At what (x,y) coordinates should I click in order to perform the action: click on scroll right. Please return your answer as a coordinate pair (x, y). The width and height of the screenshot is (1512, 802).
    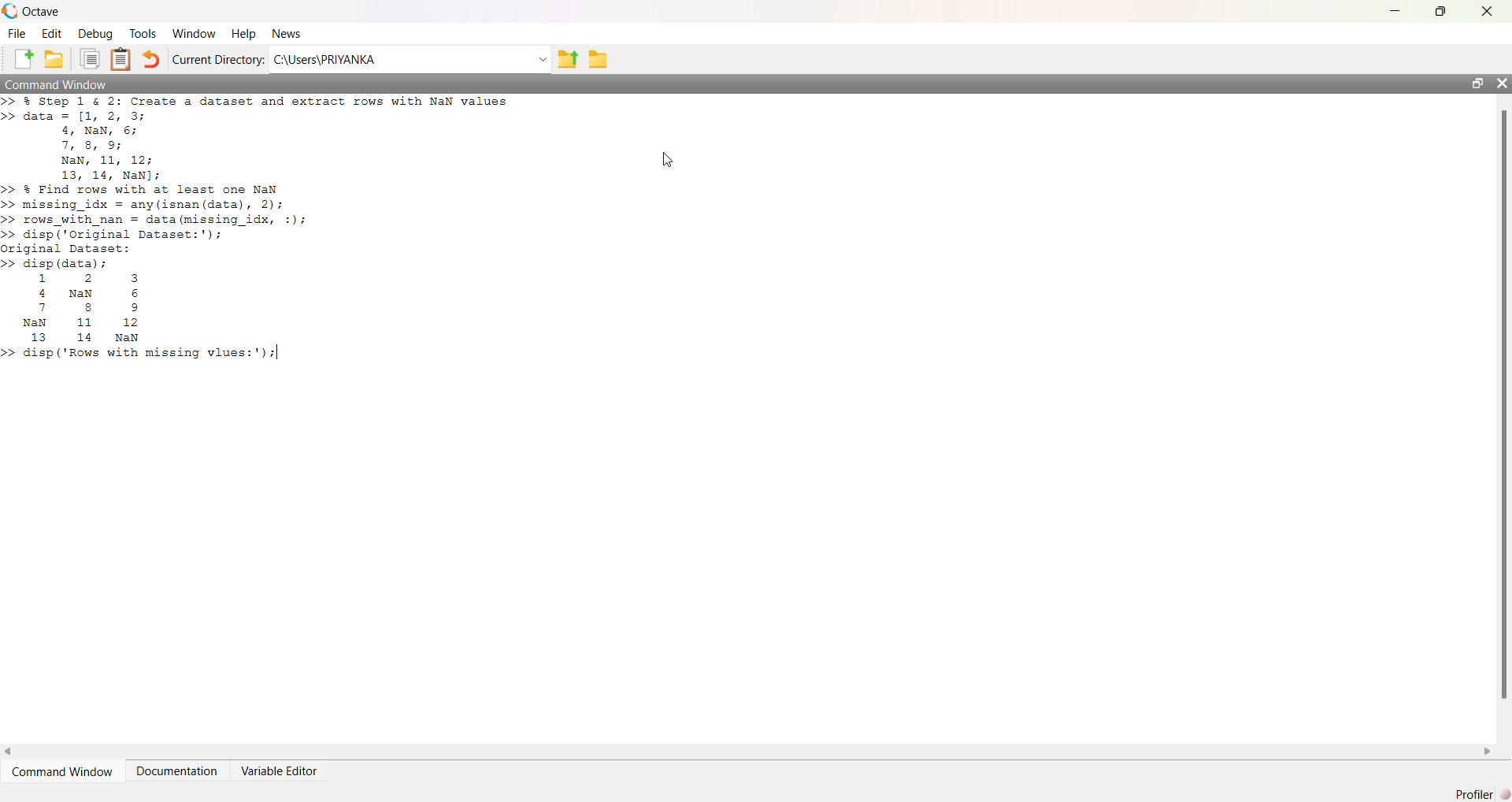
    Looking at the image, I should click on (1488, 752).